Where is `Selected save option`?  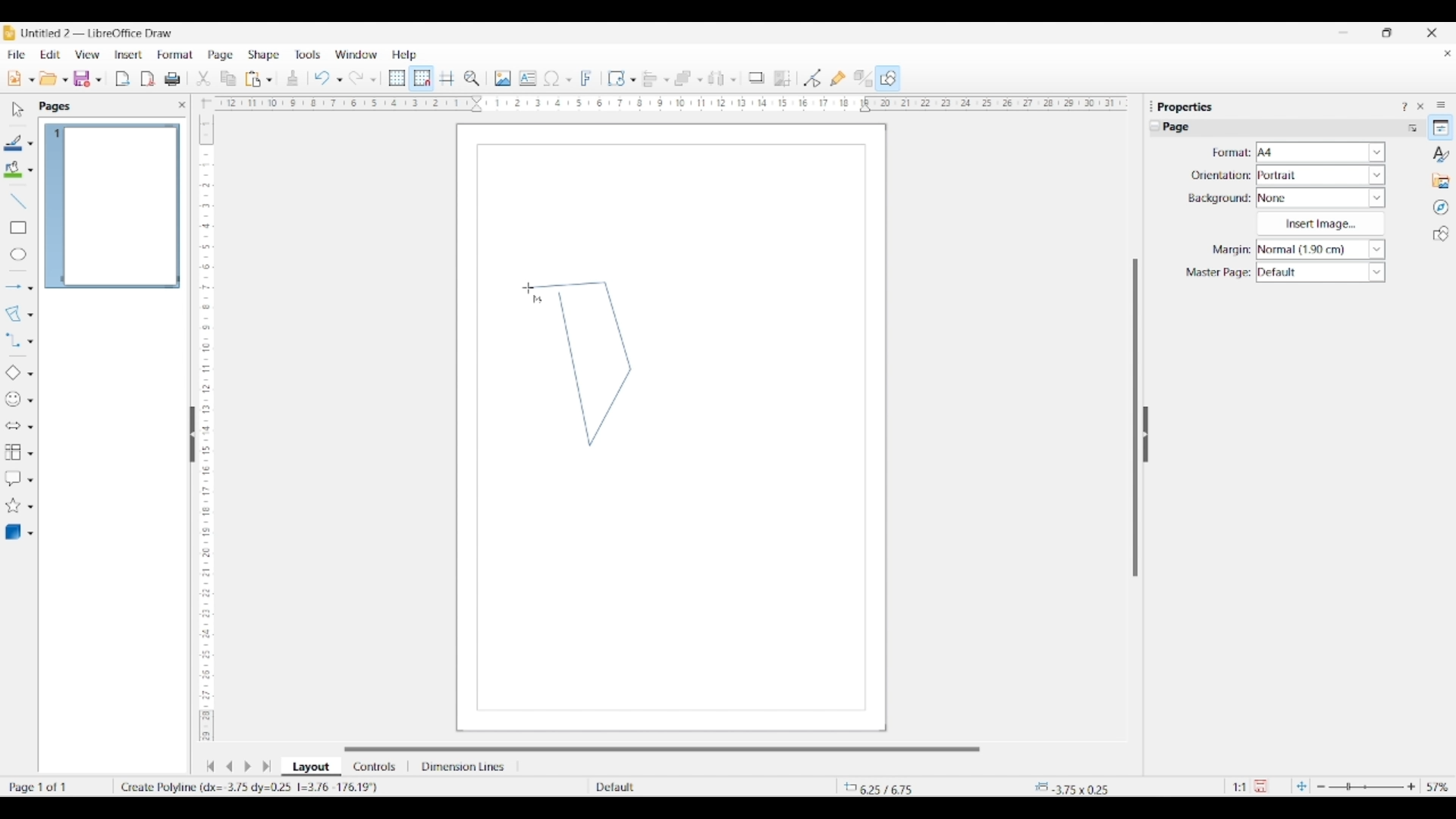
Selected save option is located at coordinates (83, 78).